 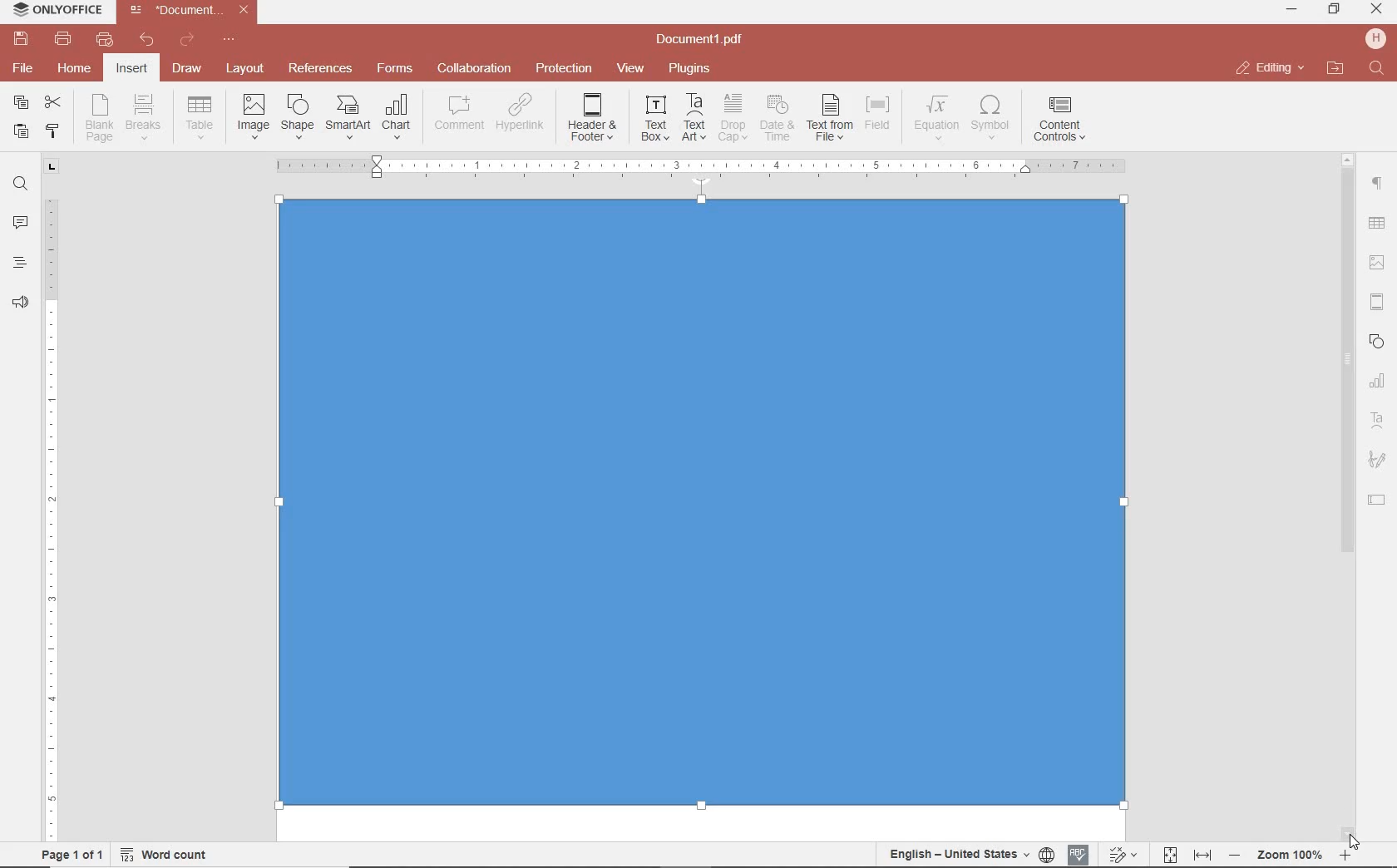 What do you see at coordinates (103, 39) in the screenshot?
I see `quick print` at bounding box center [103, 39].